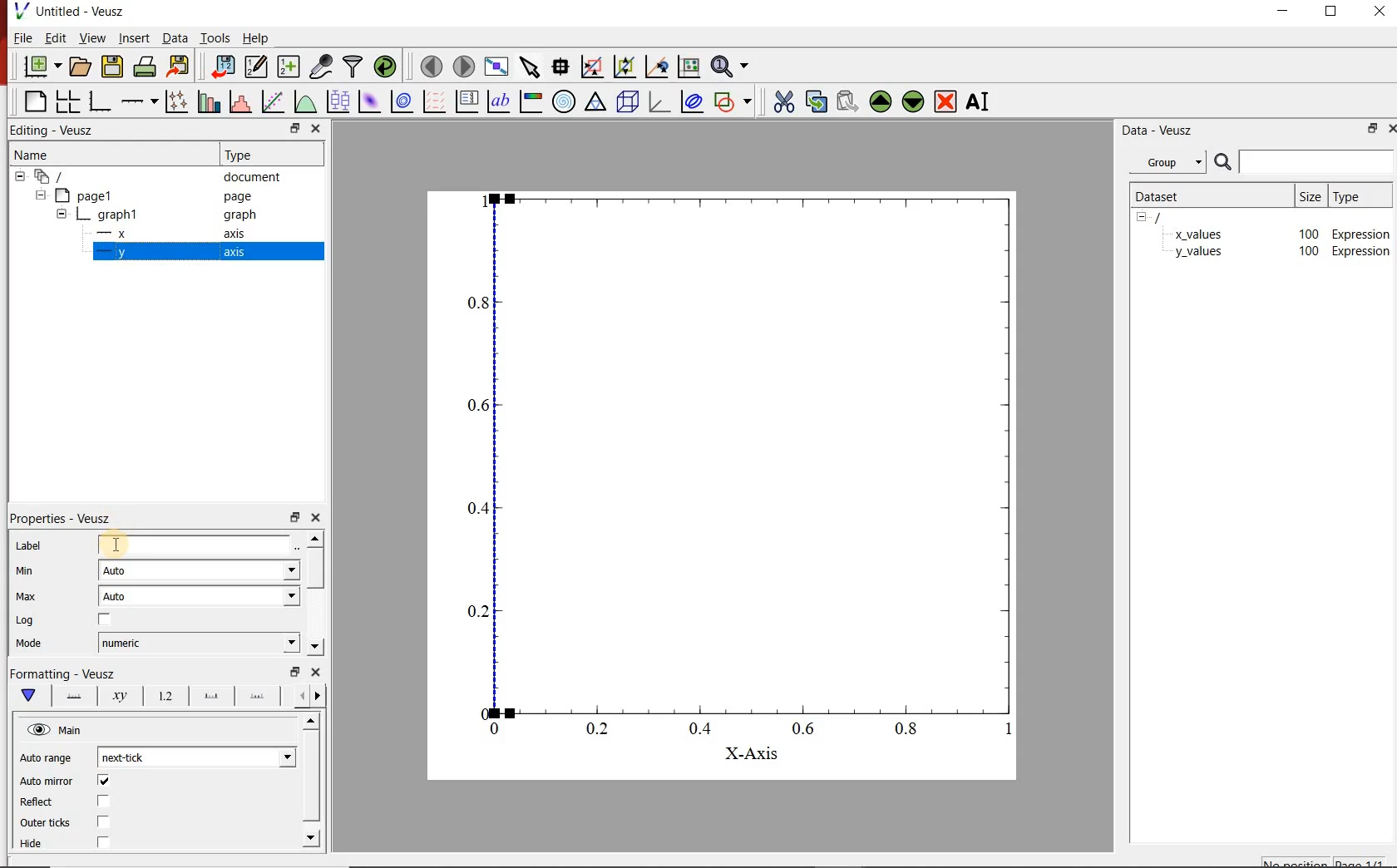  Describe the element at coordinates (1316, 161) in the screenshot. I see `input search` at that location.